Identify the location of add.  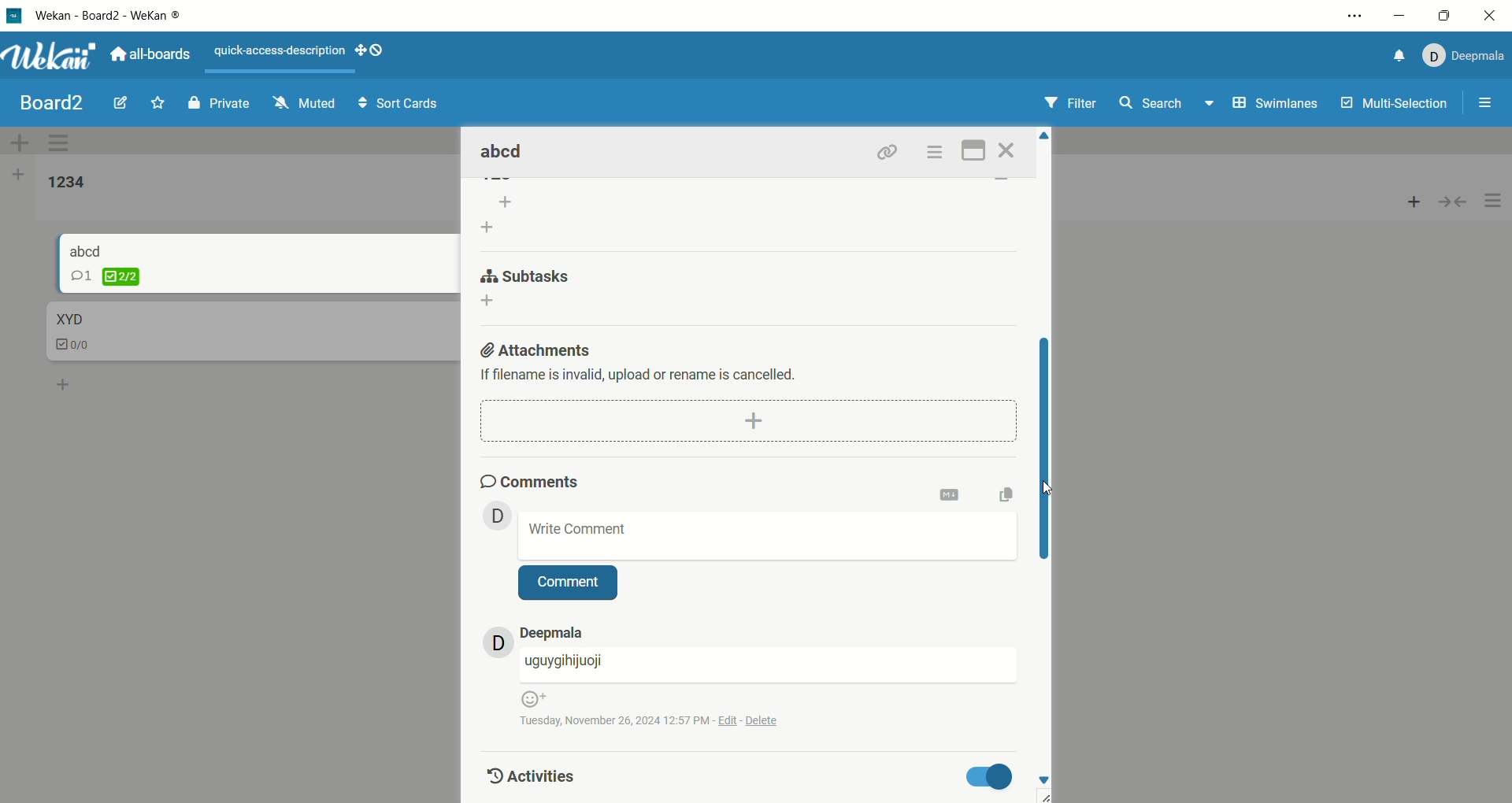
(748, 419).